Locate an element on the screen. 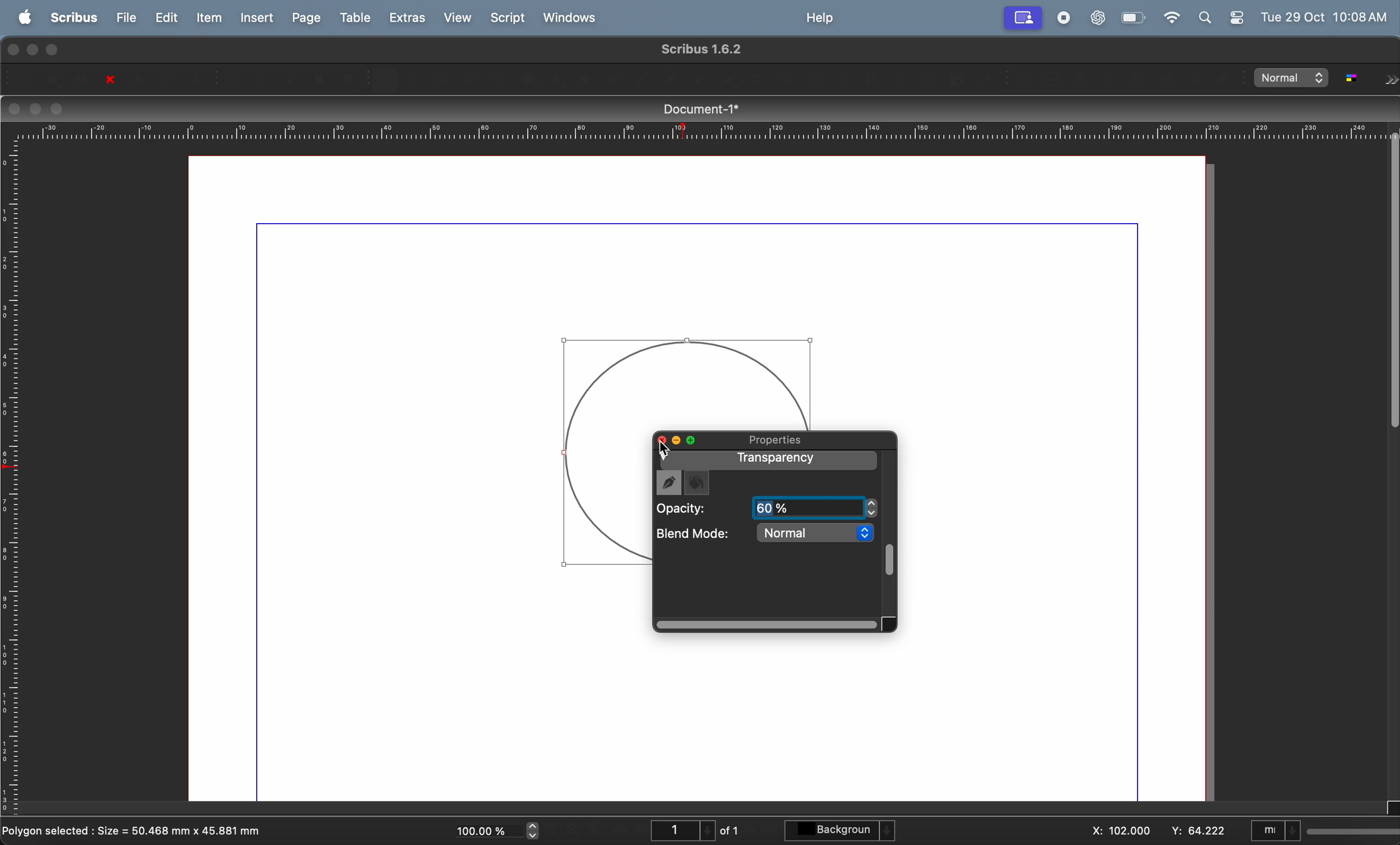  document title is located at coordinates (696, 110).